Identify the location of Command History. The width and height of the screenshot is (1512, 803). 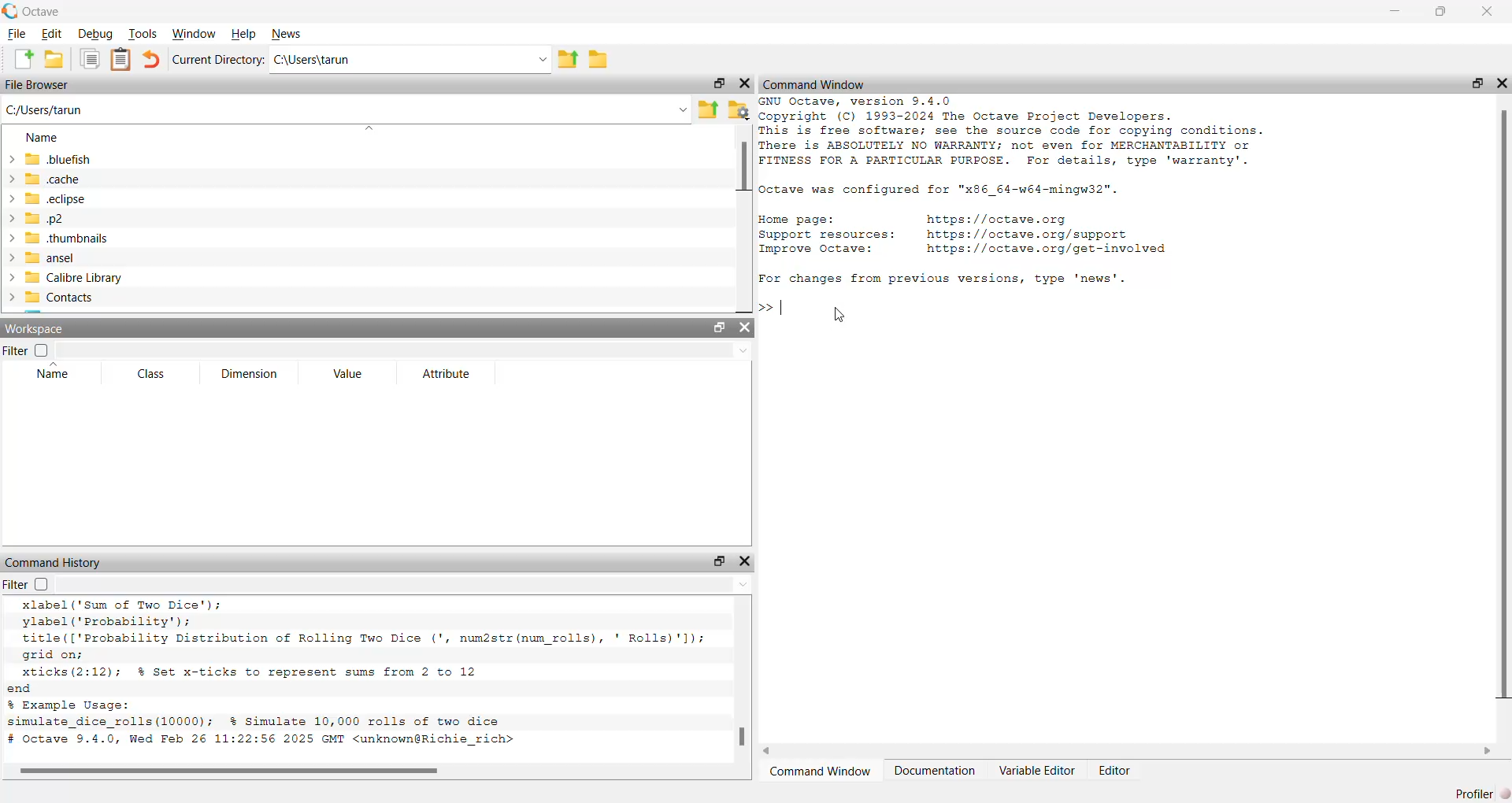
(54, 561).